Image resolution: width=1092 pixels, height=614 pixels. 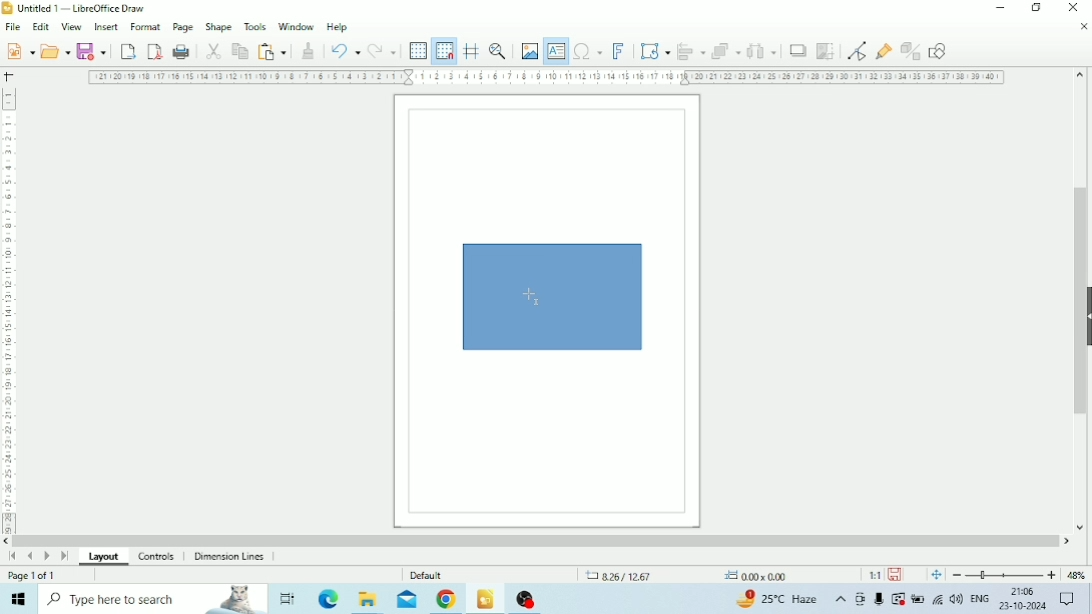 I want to click on Charging, plugged in, so click(x=917, y=599).